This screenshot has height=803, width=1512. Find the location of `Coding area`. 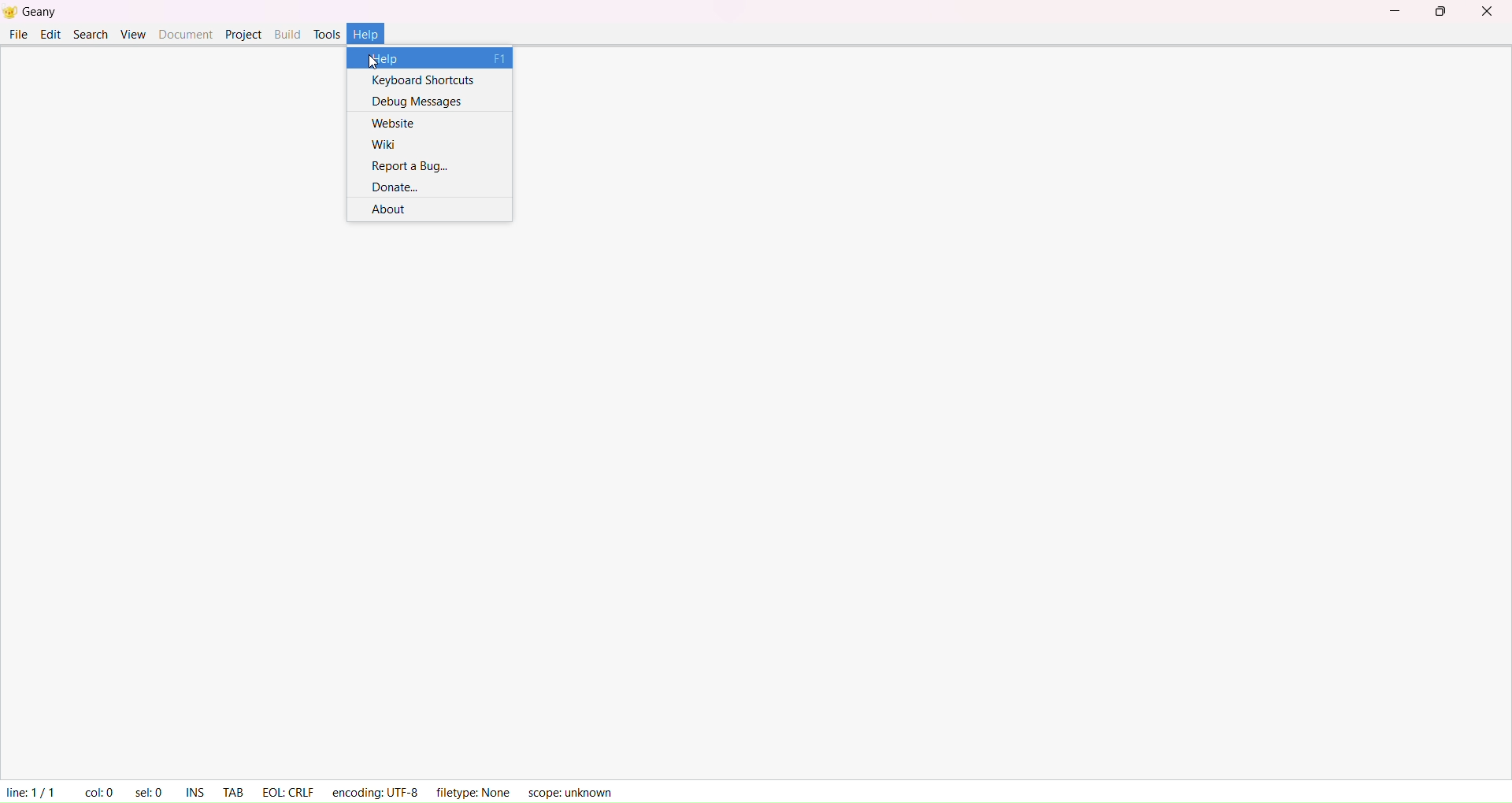

Coding area is located at coordinates (1014, 138).